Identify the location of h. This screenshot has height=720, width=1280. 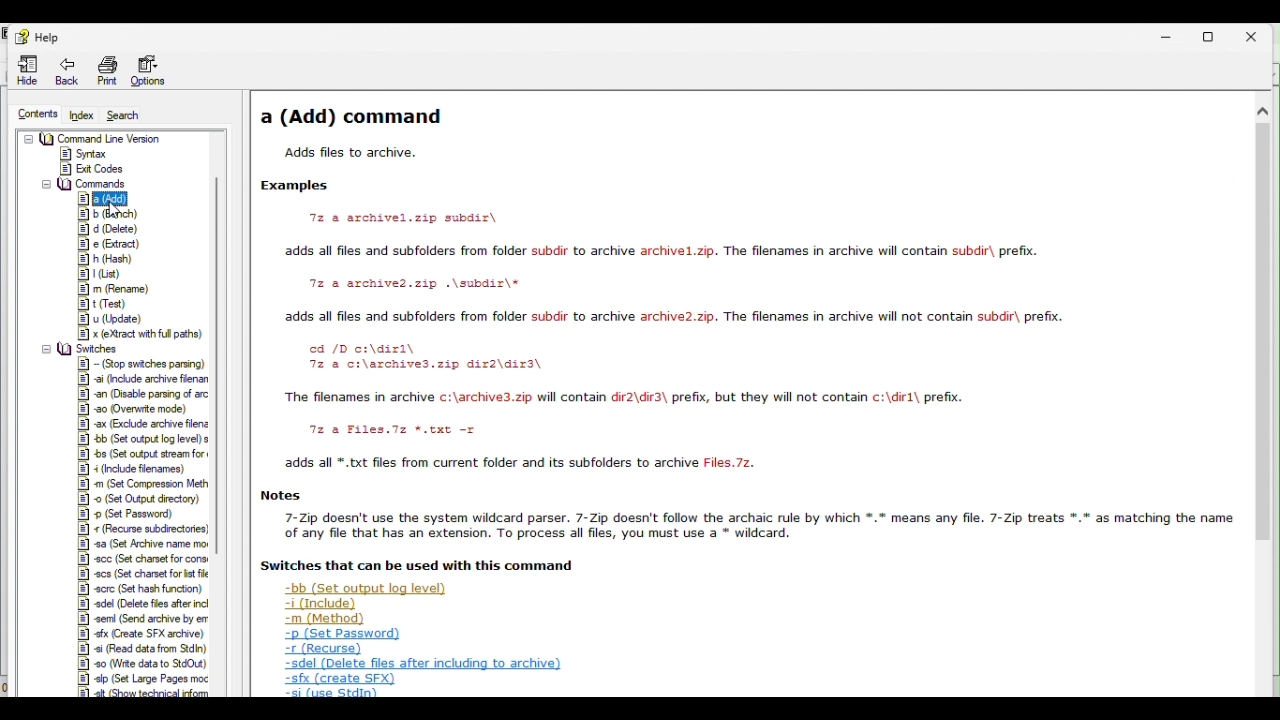
(111, 259).